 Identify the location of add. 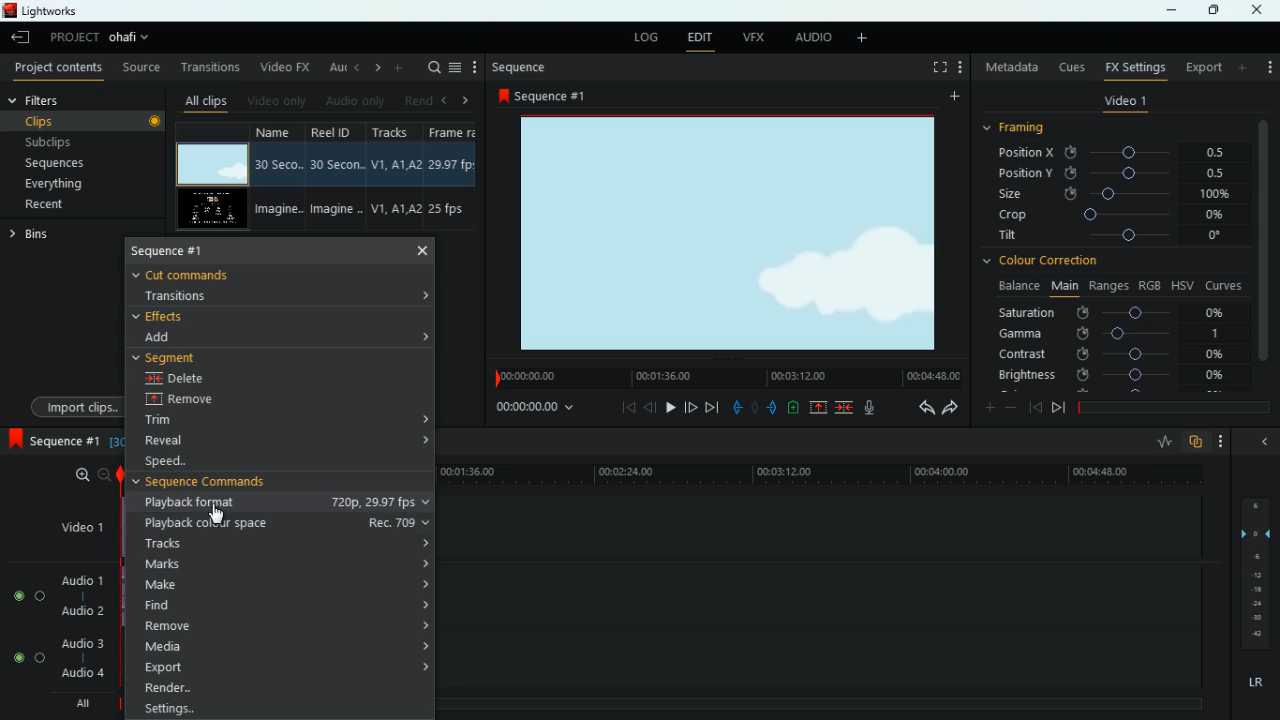
(863, 39).